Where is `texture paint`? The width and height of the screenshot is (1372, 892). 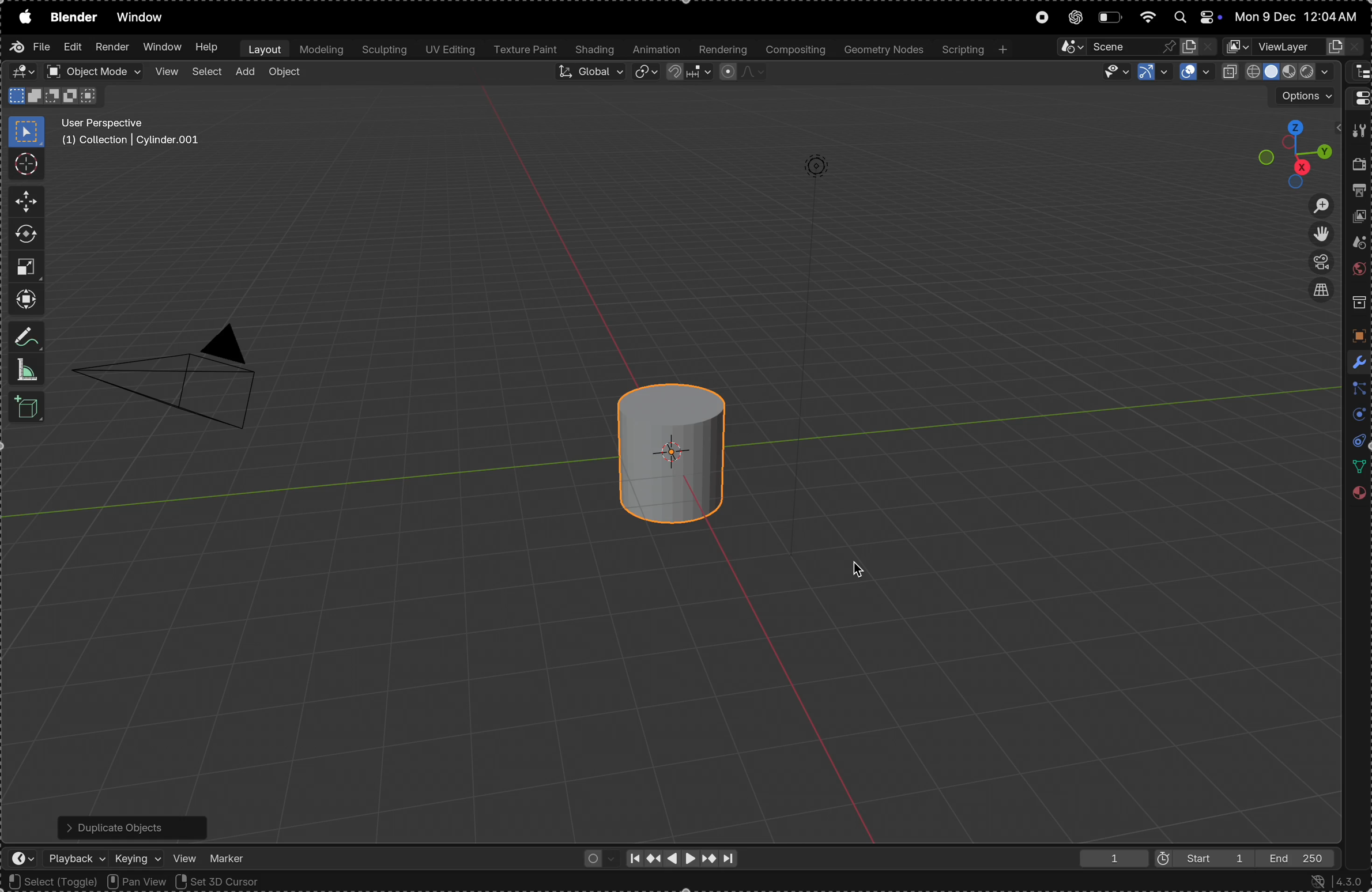
texture paint is located at coordinates (525, 50).